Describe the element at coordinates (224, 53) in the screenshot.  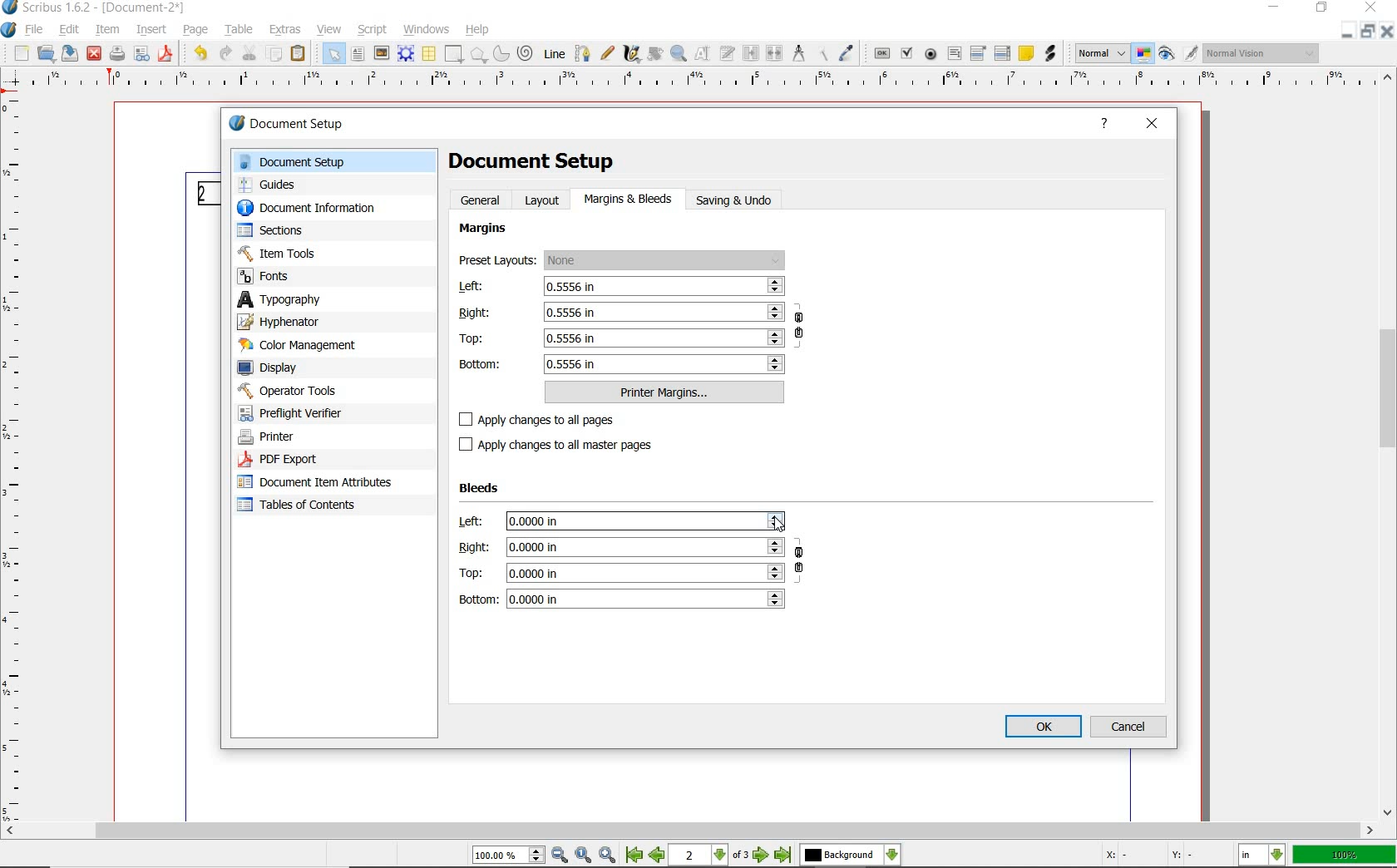
I see `redo` at that location.